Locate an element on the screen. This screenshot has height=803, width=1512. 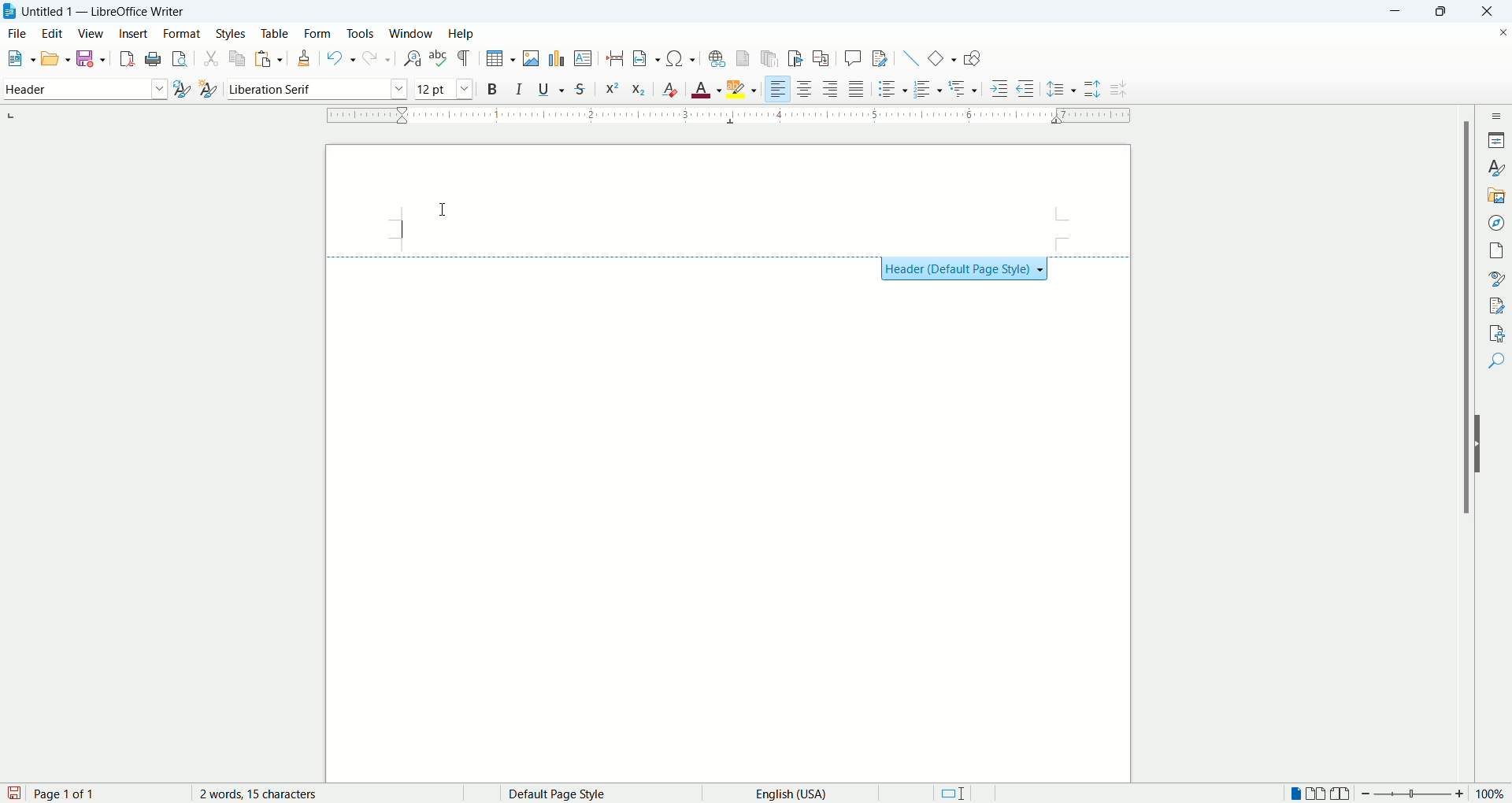
format is located at coordinates (180, 34).